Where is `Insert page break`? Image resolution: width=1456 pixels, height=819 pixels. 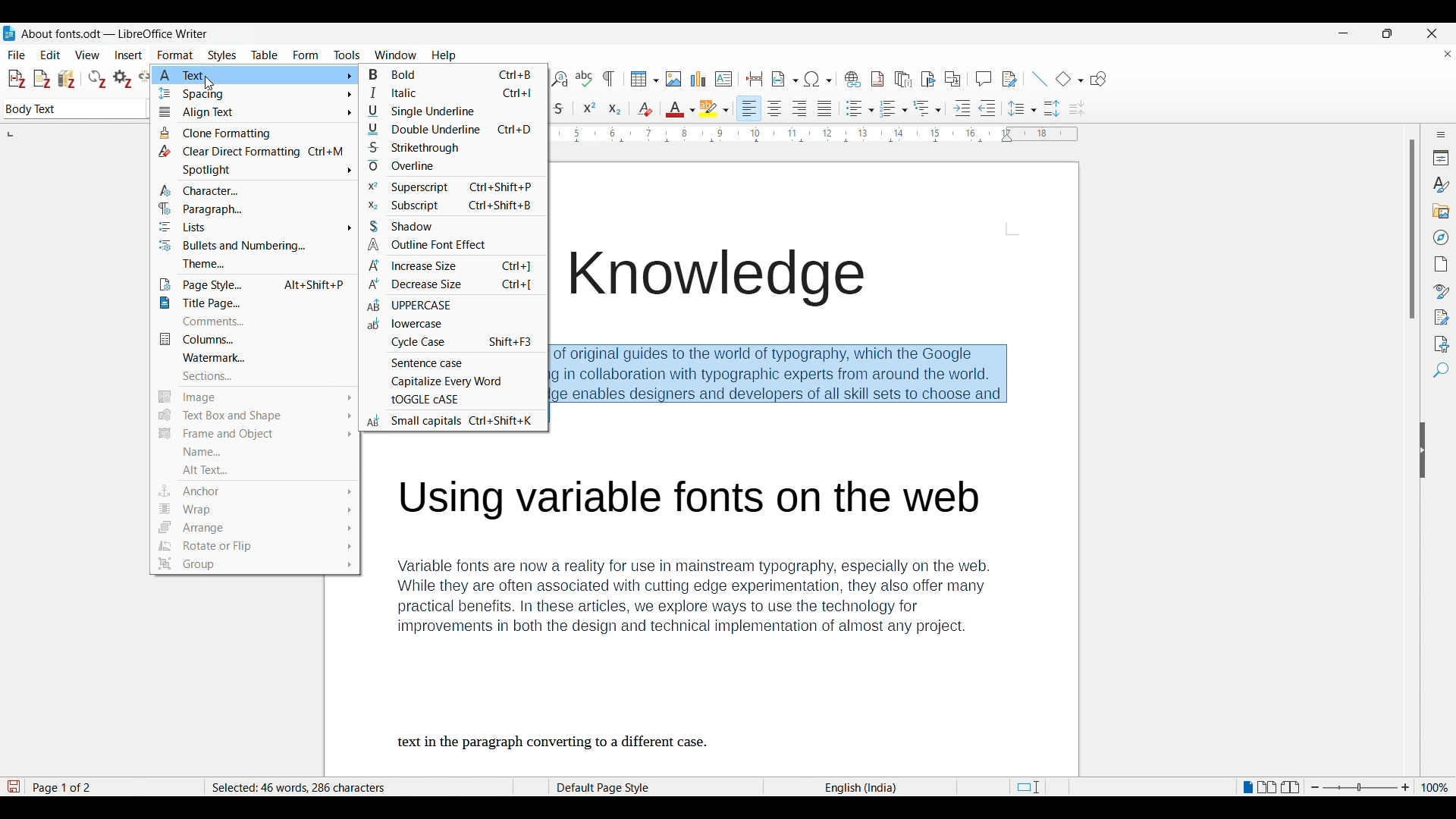
Insert page break is located at coordinates (754, 79).